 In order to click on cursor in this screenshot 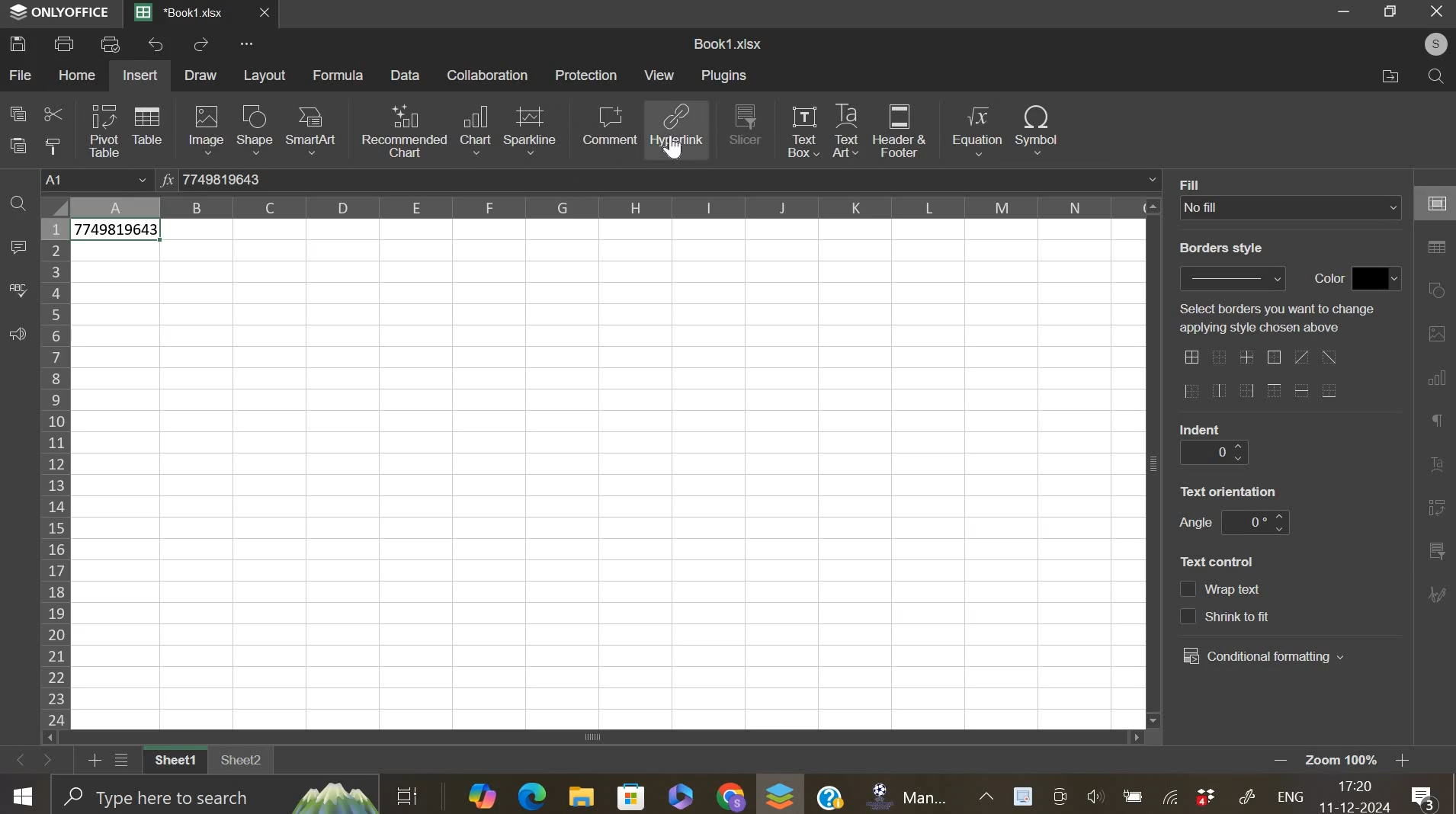, I will do `click(675, 152)`.